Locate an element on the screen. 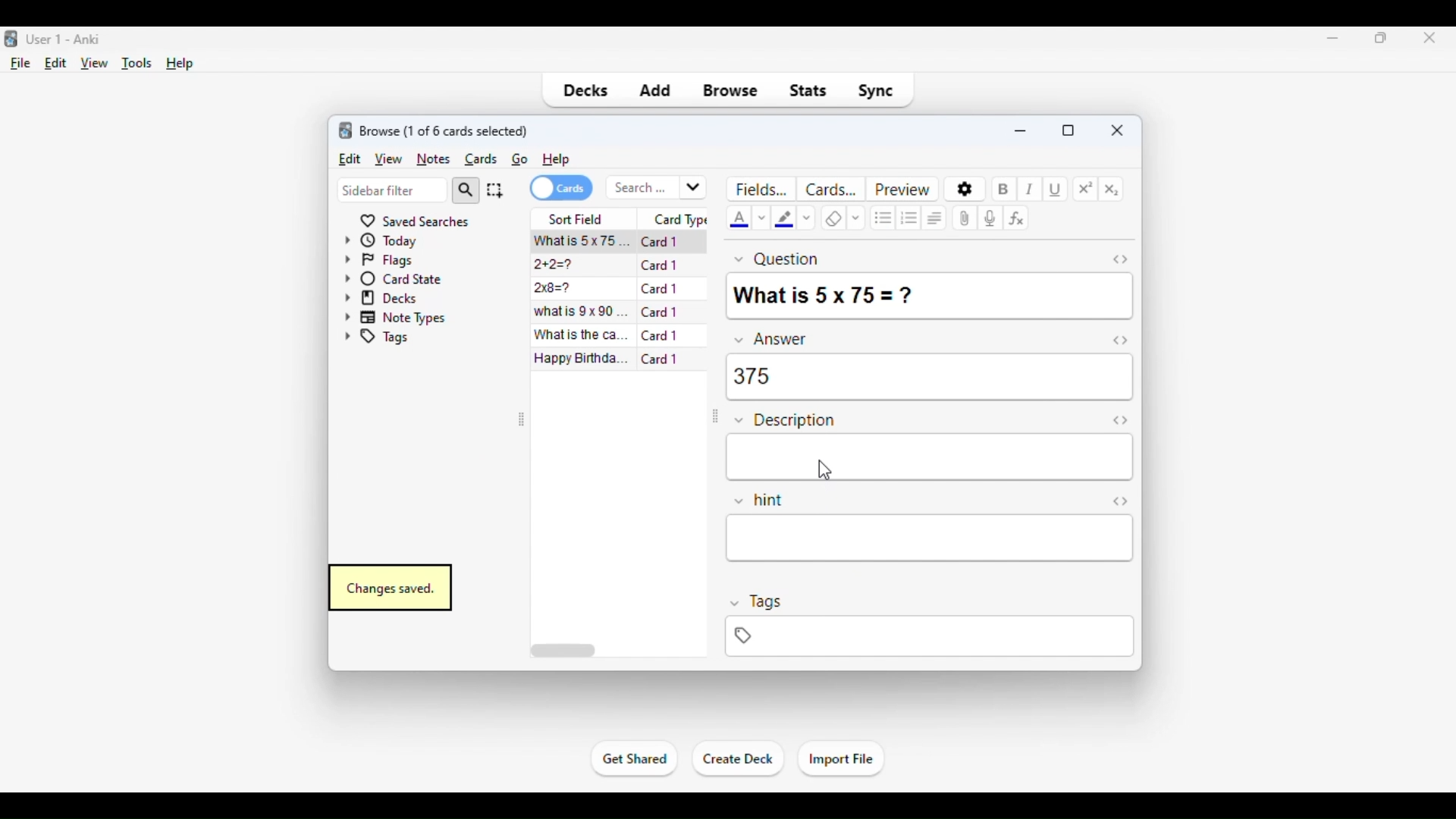 The width and height of the screenshot is (1456, 819). title is located at coordinates (65, 39).